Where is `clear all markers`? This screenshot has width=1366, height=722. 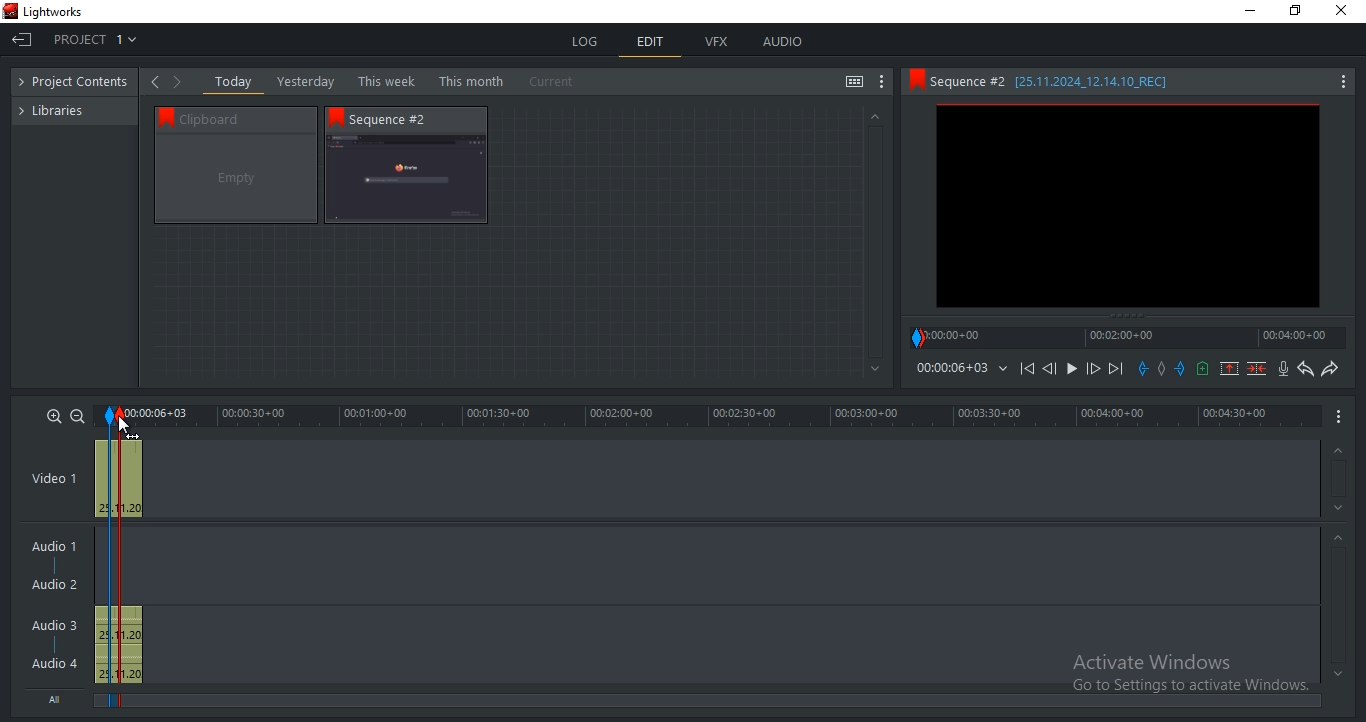 clear all markers is located at coordinates (1160, 367).